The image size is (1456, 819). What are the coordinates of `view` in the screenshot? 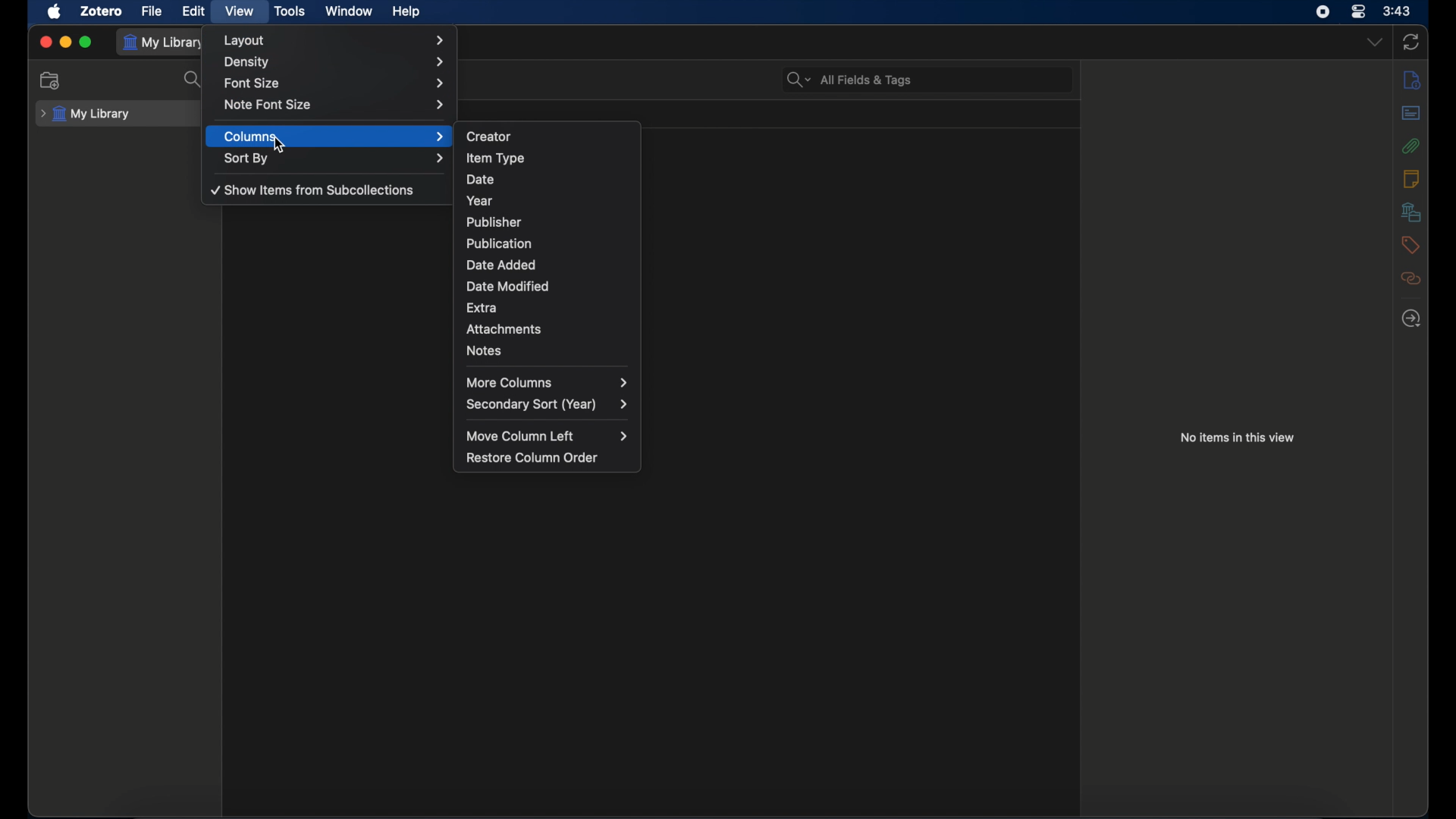 It's located at (238, 11).